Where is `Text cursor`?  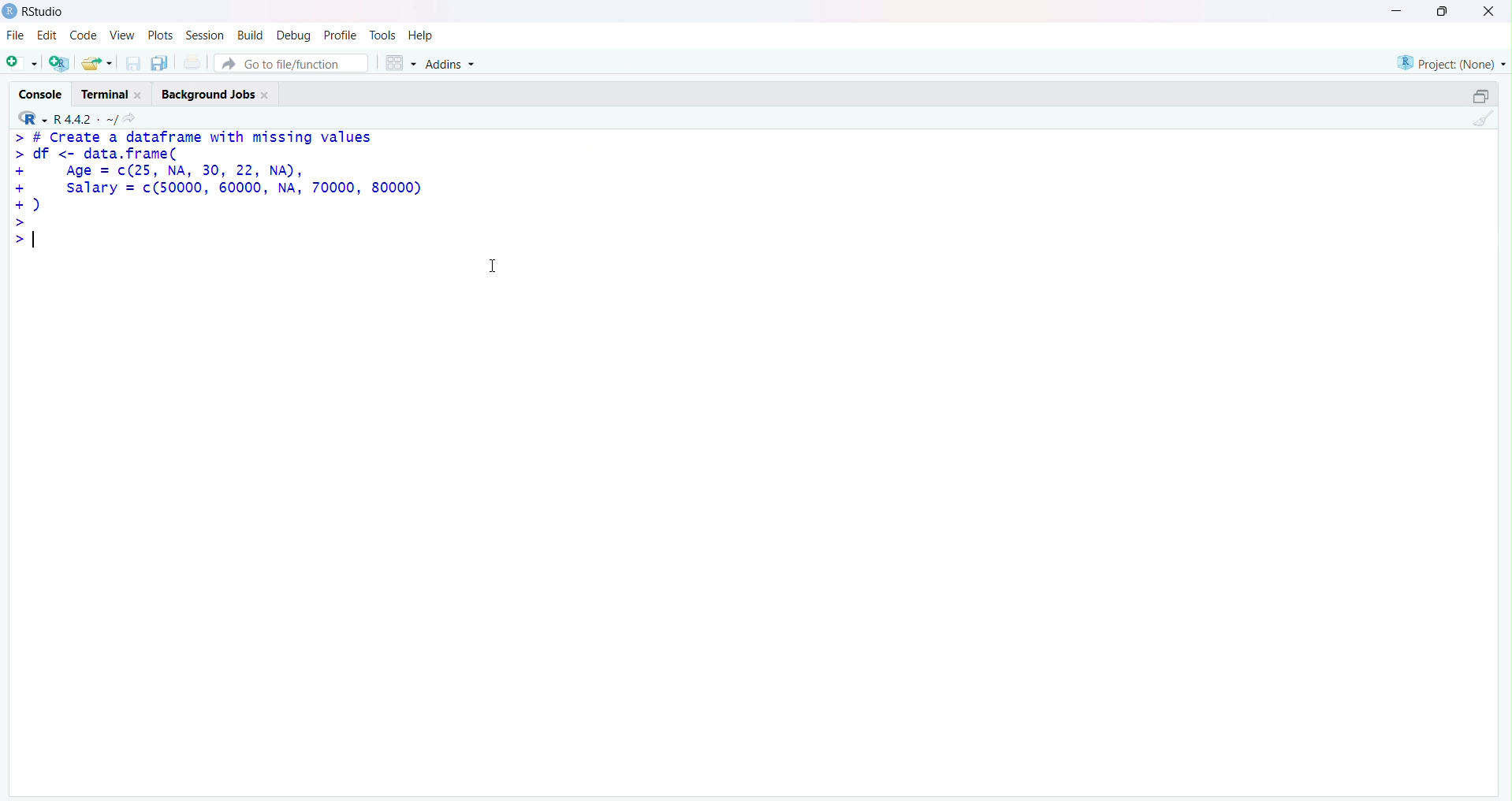
Text cursor is located at coordinates (501, 264).